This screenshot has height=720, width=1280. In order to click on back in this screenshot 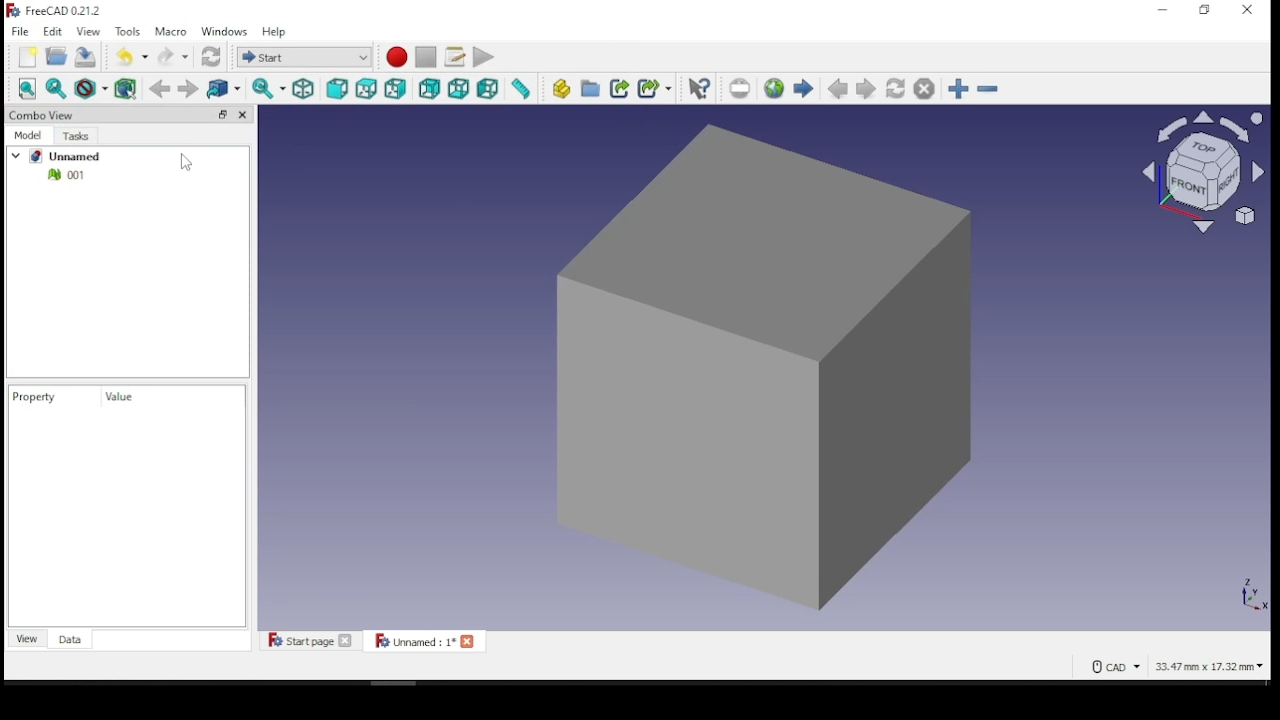, I will do `click(159, 88)`.